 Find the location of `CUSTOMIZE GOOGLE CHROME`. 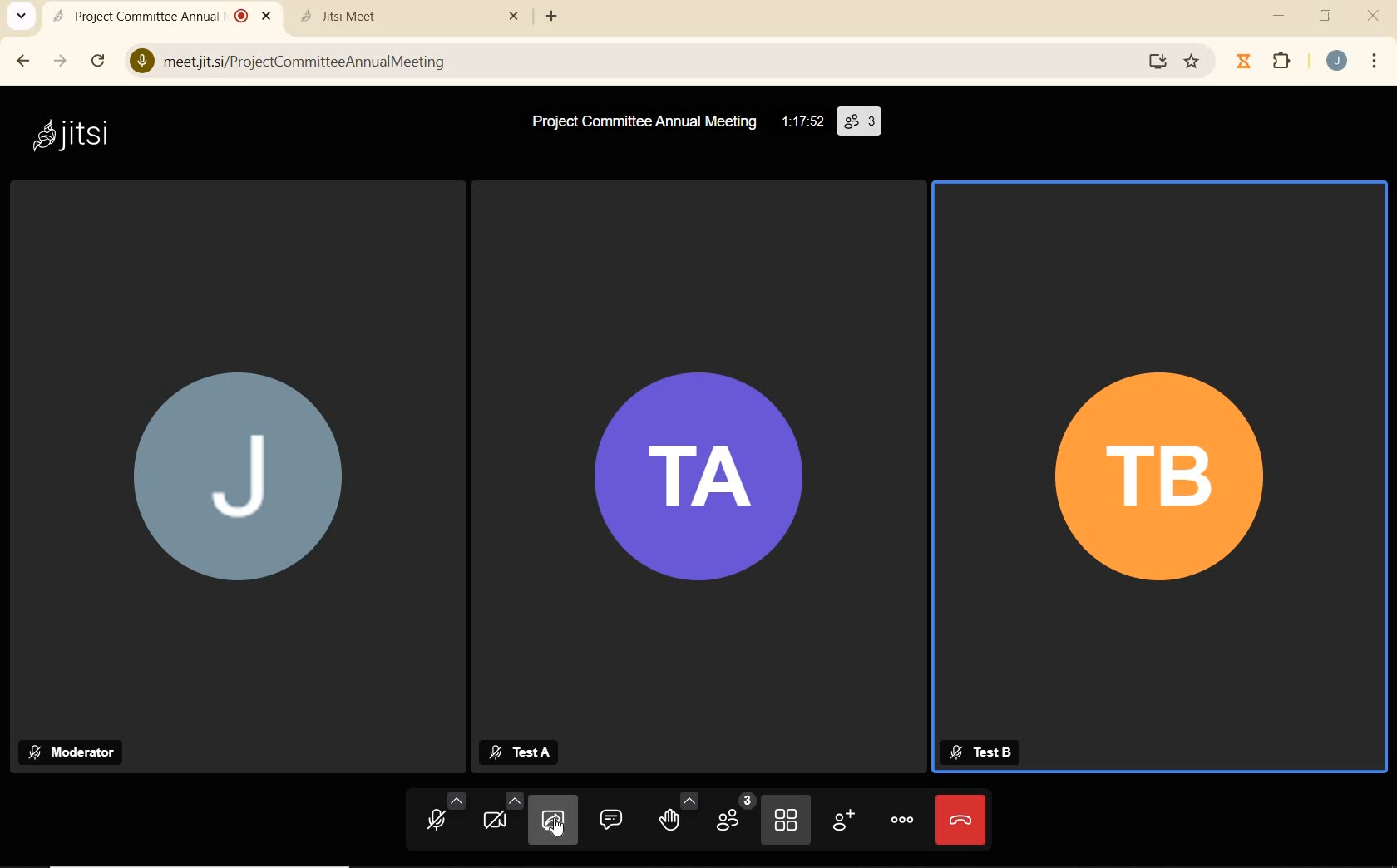

CUSTOMIZE GOOGLE CHROME is located at coordinates (1375, 62).